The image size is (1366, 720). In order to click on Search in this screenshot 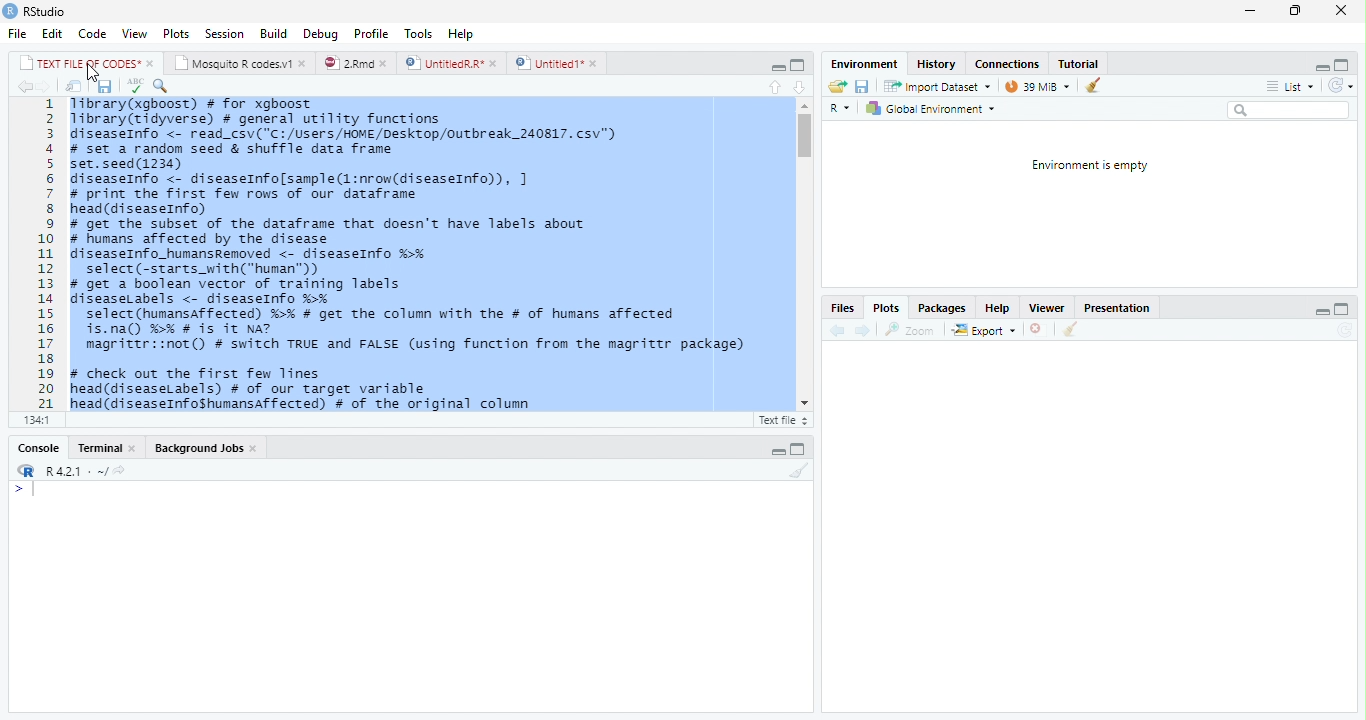, I will do `click(1288, 110)`.